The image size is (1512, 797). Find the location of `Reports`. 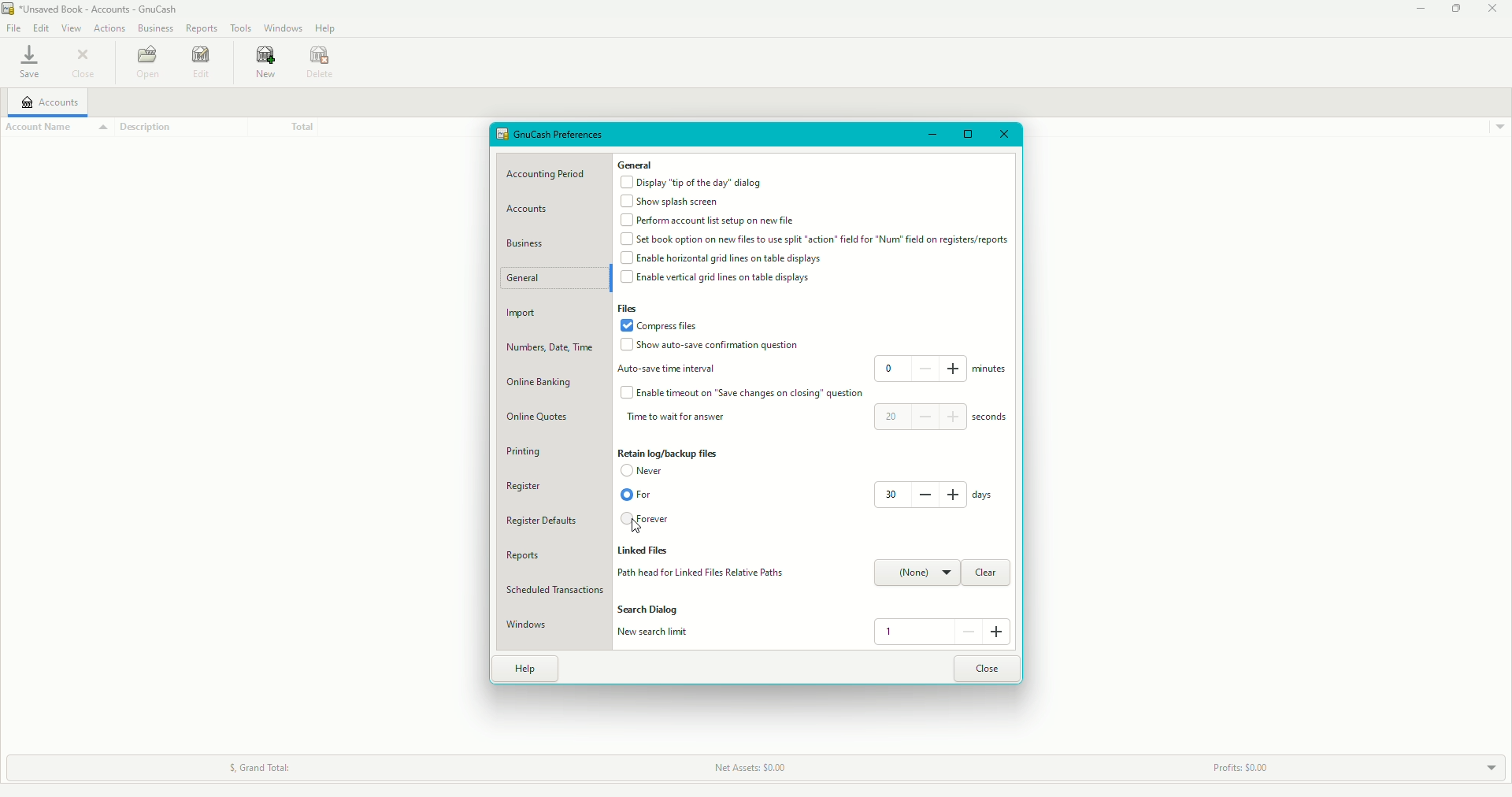

Reports is located at coordinates (202, 27).